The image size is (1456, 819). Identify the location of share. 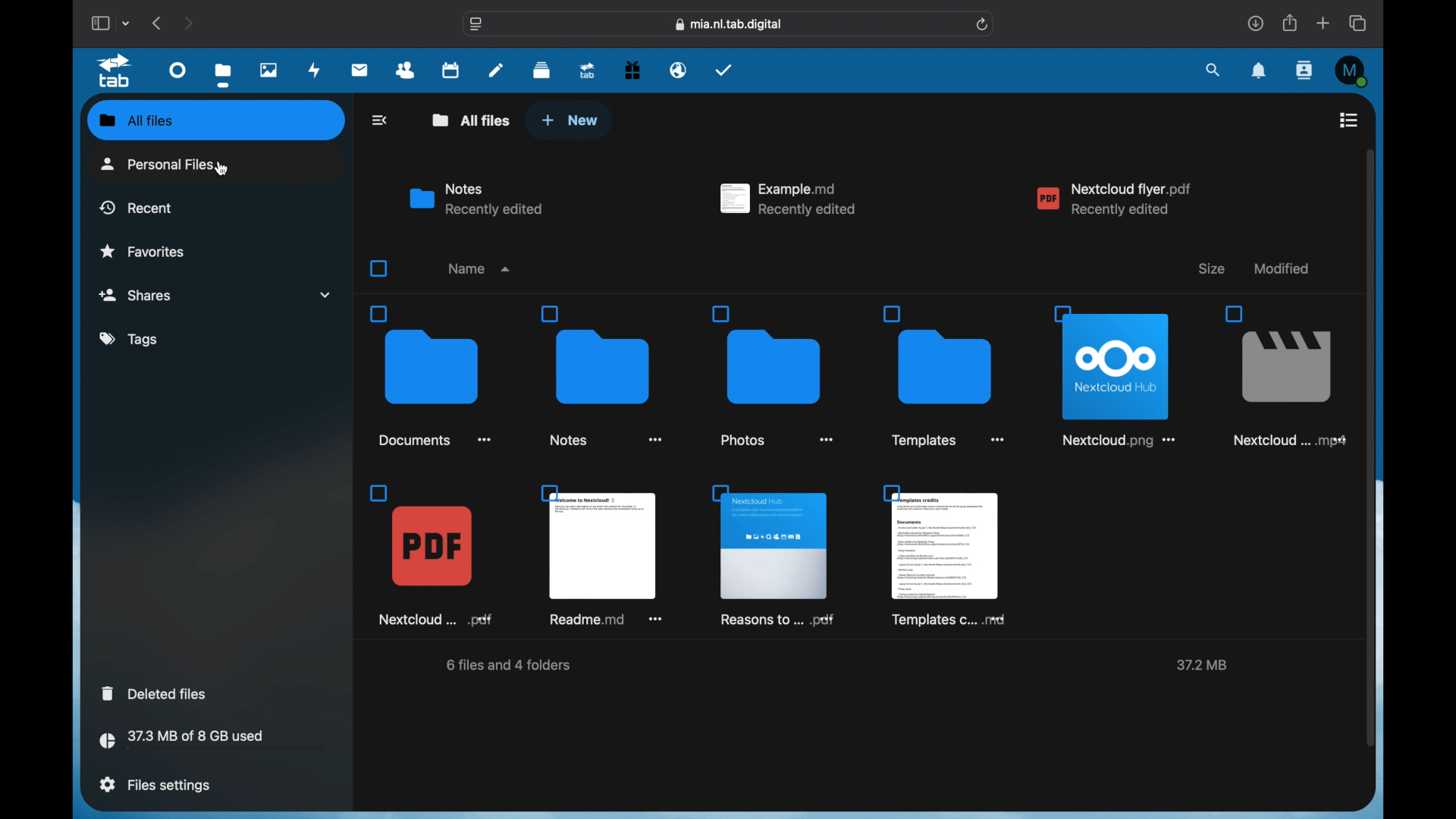
(1291, 23).